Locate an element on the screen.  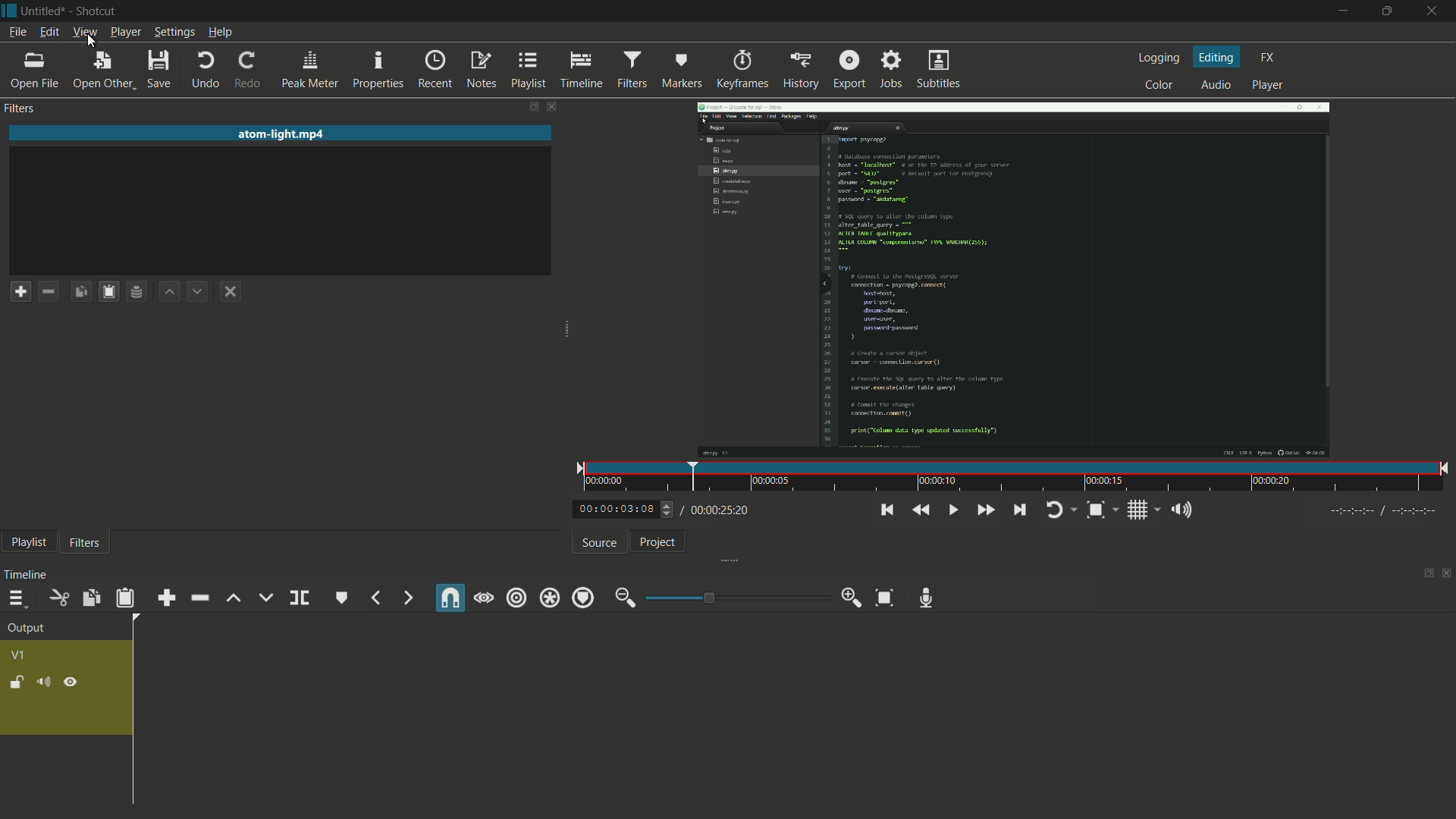
editing is located at coordinates (1216, 58).